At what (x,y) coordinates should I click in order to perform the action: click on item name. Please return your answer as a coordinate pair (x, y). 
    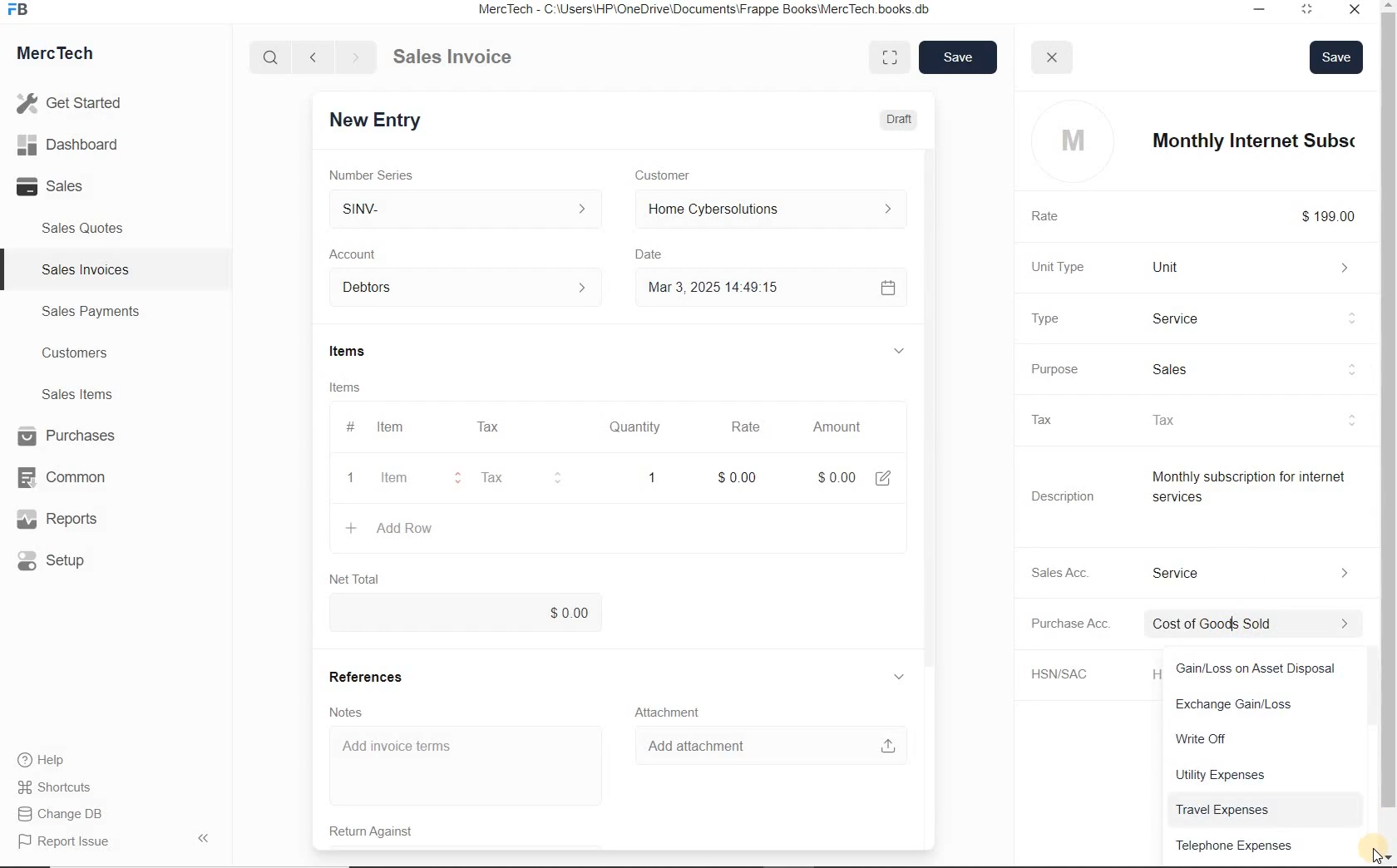
    Looking at the image, I should click on (1263, 141).